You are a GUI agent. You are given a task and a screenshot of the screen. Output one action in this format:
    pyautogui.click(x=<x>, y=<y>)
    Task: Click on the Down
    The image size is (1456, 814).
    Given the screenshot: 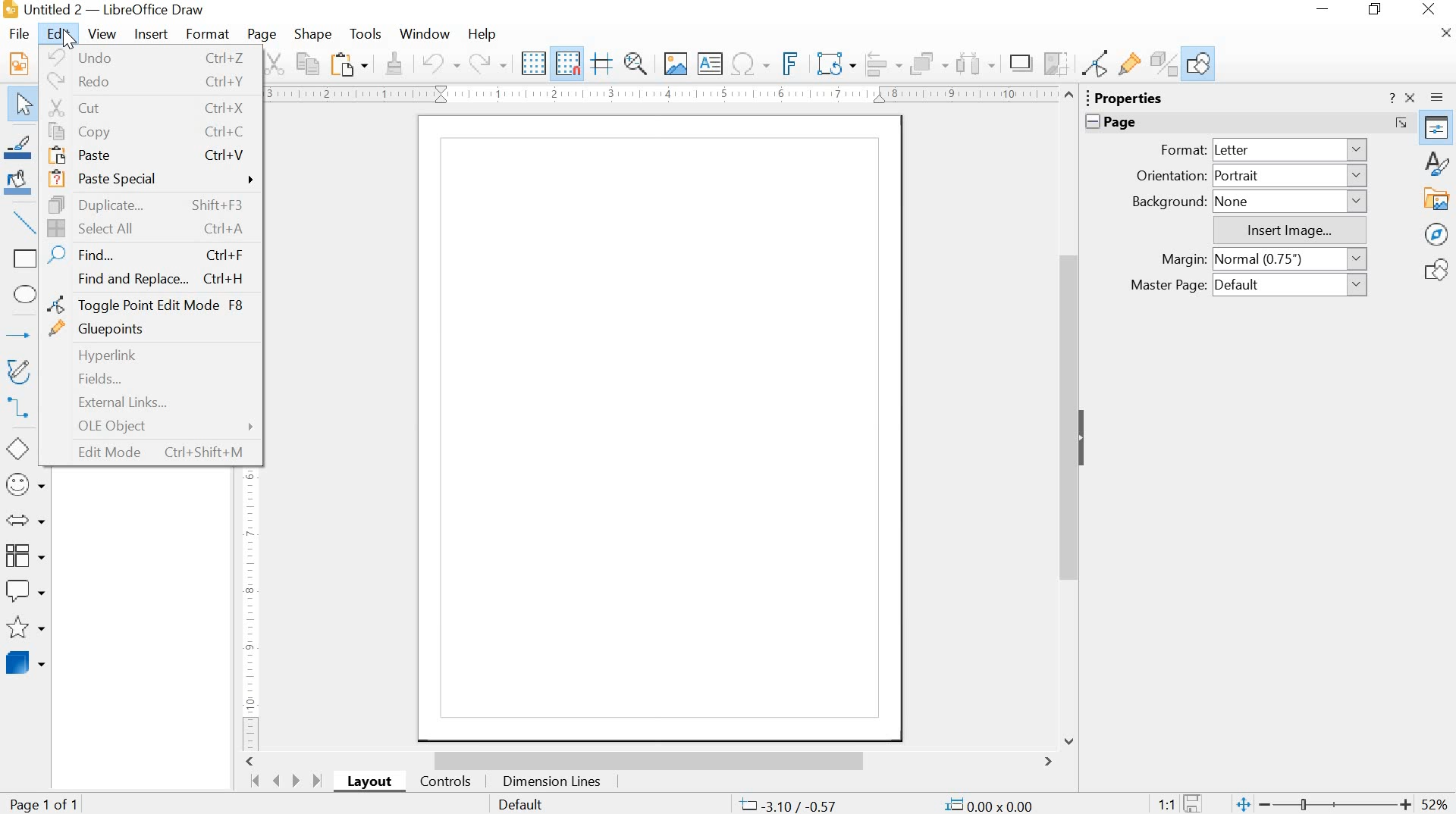 What is the action you would take?
    pyautogui.click(x=1069, y=740)
    